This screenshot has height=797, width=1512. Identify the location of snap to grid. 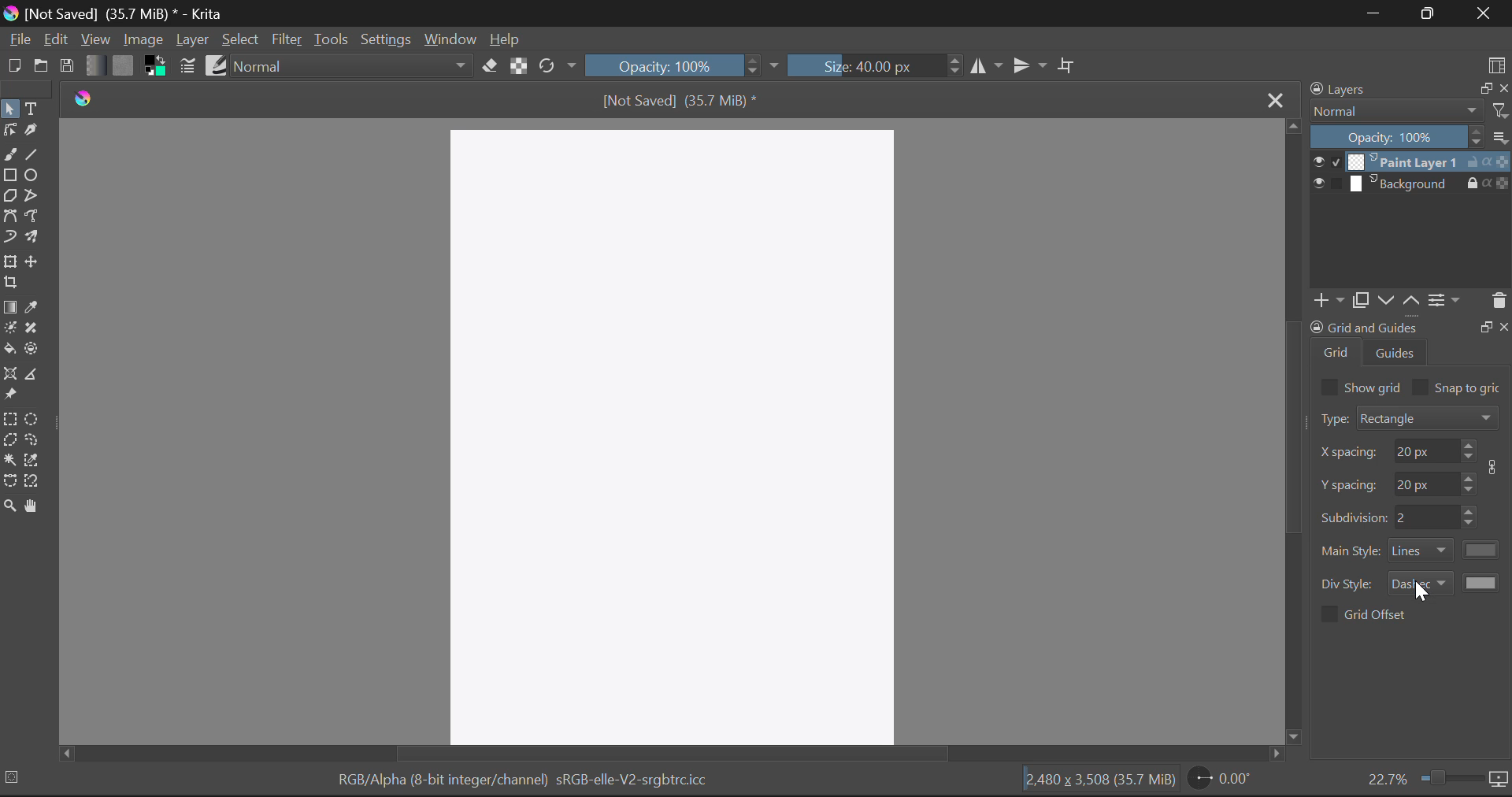
(1469, 389).